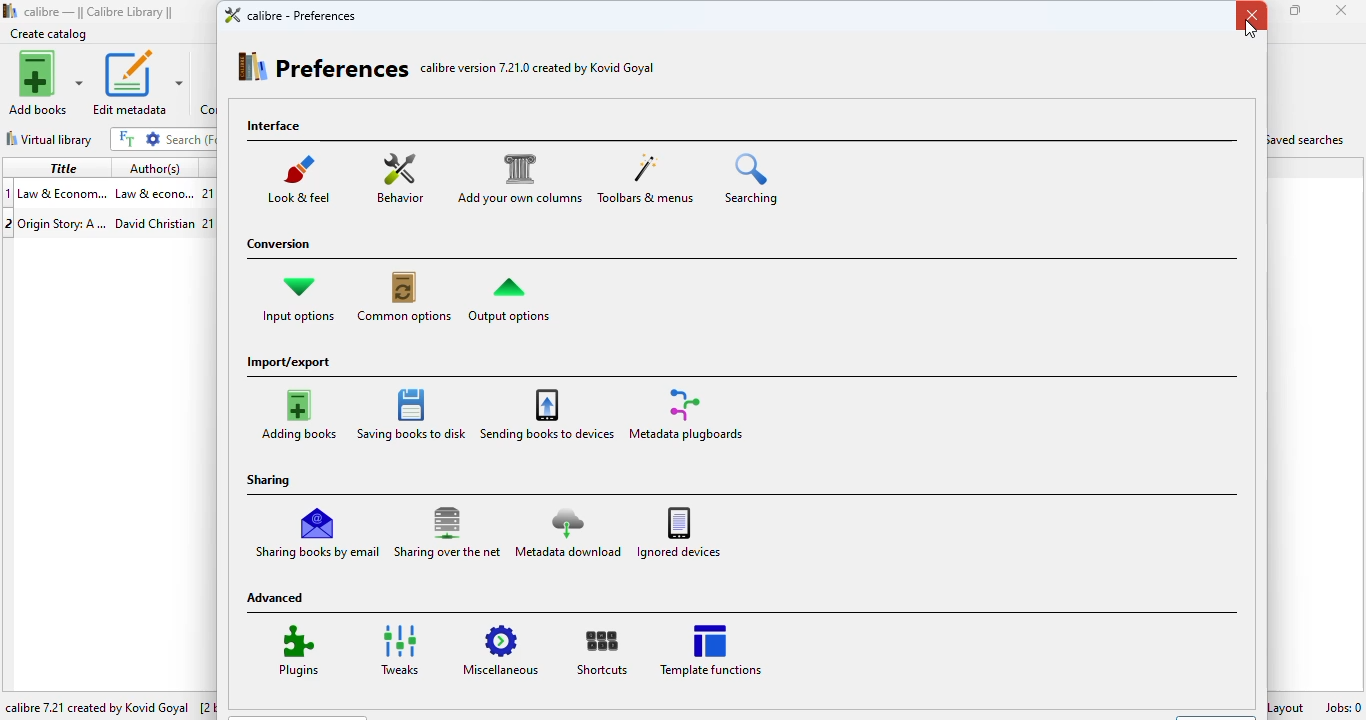 The height and width of the screenshot is (720, 1366). I want to click on add books, so click(44, 85).